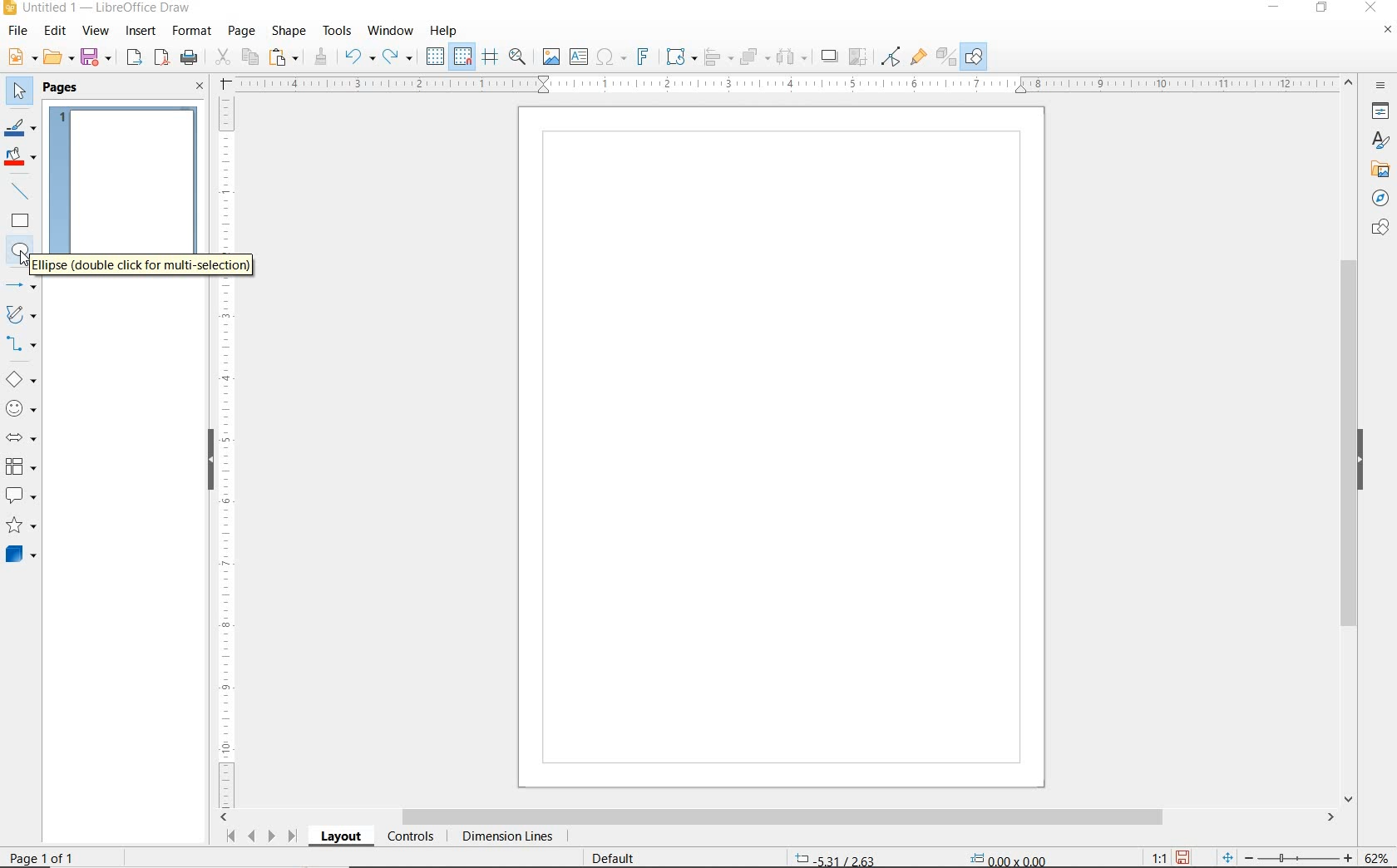  What do you see at coordinates (792, 56) in the screenshot?
I see `SELECT AT LEAST 3 OBJECTS TO DISTRIBUTE` at bounding box center [792, 56].